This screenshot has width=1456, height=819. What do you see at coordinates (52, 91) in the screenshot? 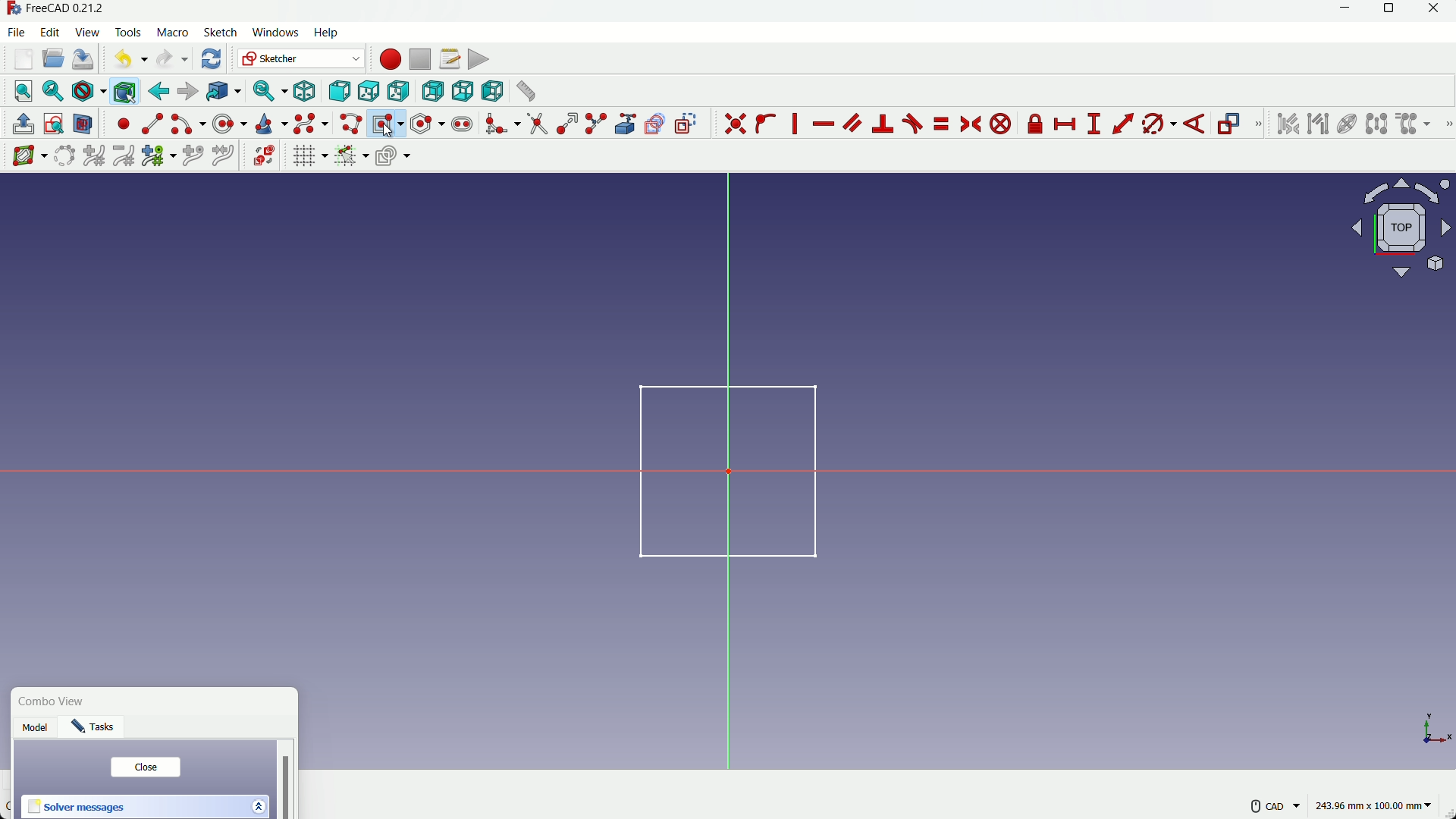
I see `select fit` at bounding box center [52, 91].